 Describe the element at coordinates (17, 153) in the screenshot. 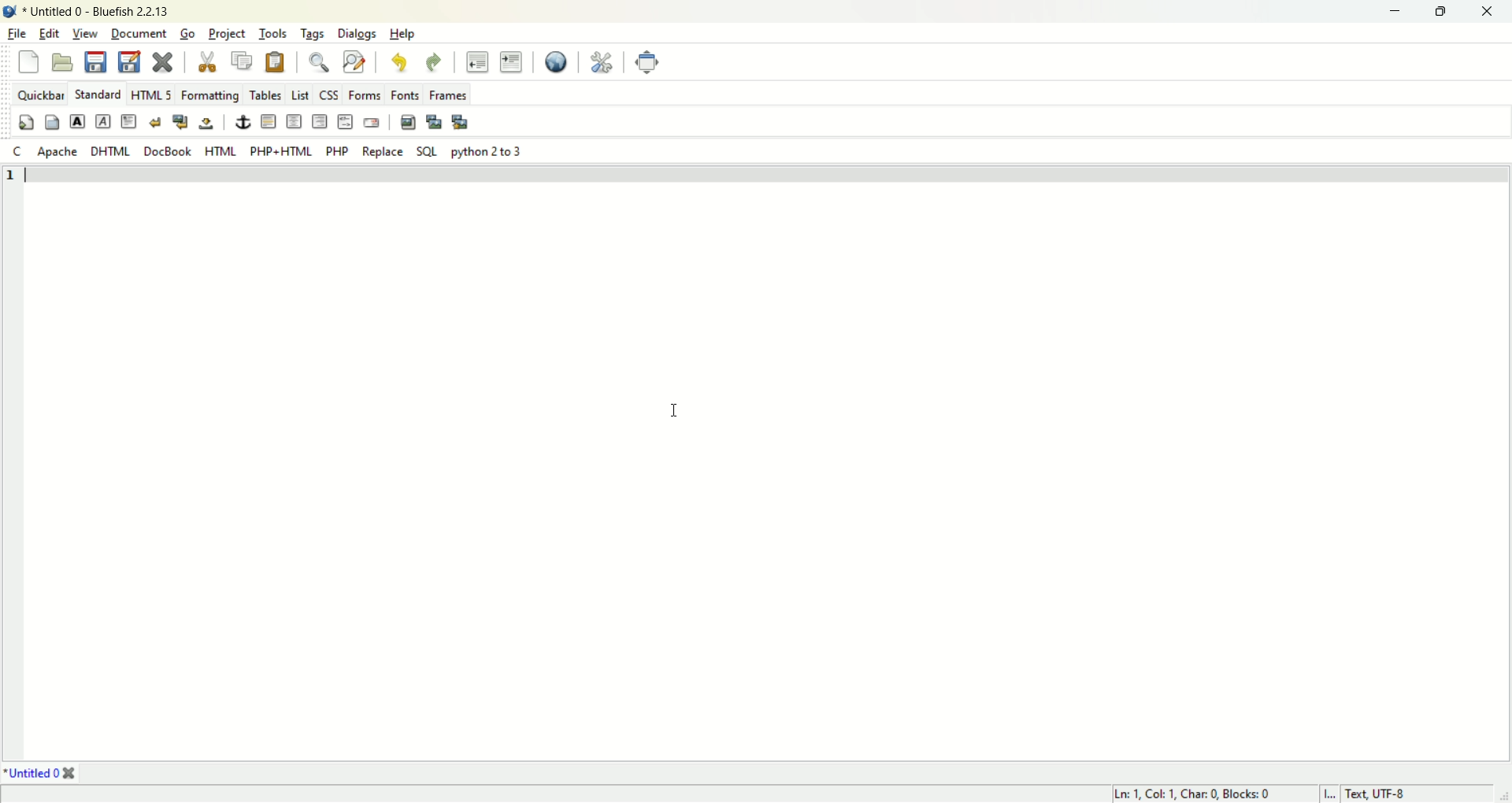

I see `c` at that location.